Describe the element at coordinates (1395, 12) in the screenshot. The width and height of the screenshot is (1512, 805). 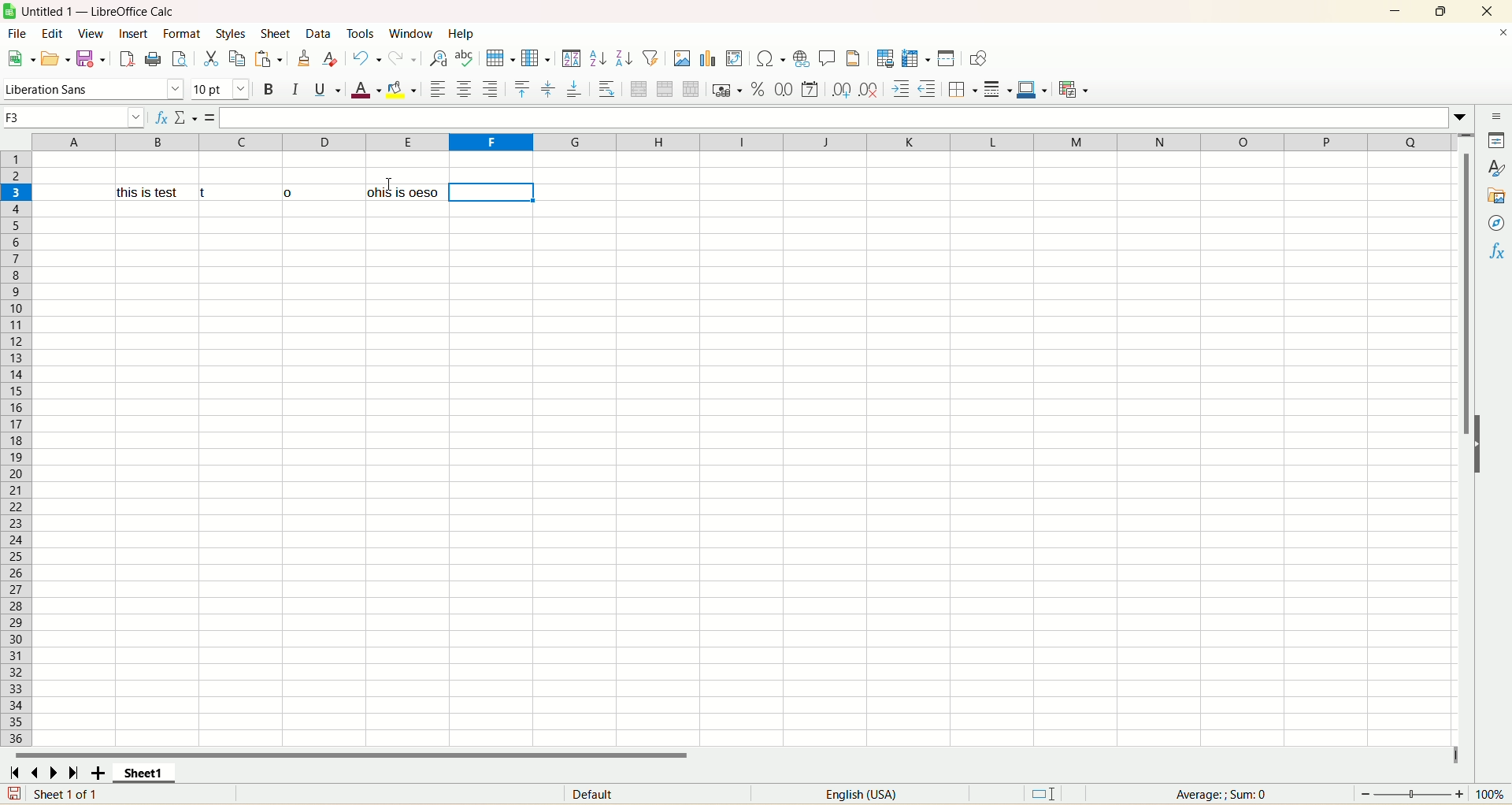
I see `minimize` at that location.